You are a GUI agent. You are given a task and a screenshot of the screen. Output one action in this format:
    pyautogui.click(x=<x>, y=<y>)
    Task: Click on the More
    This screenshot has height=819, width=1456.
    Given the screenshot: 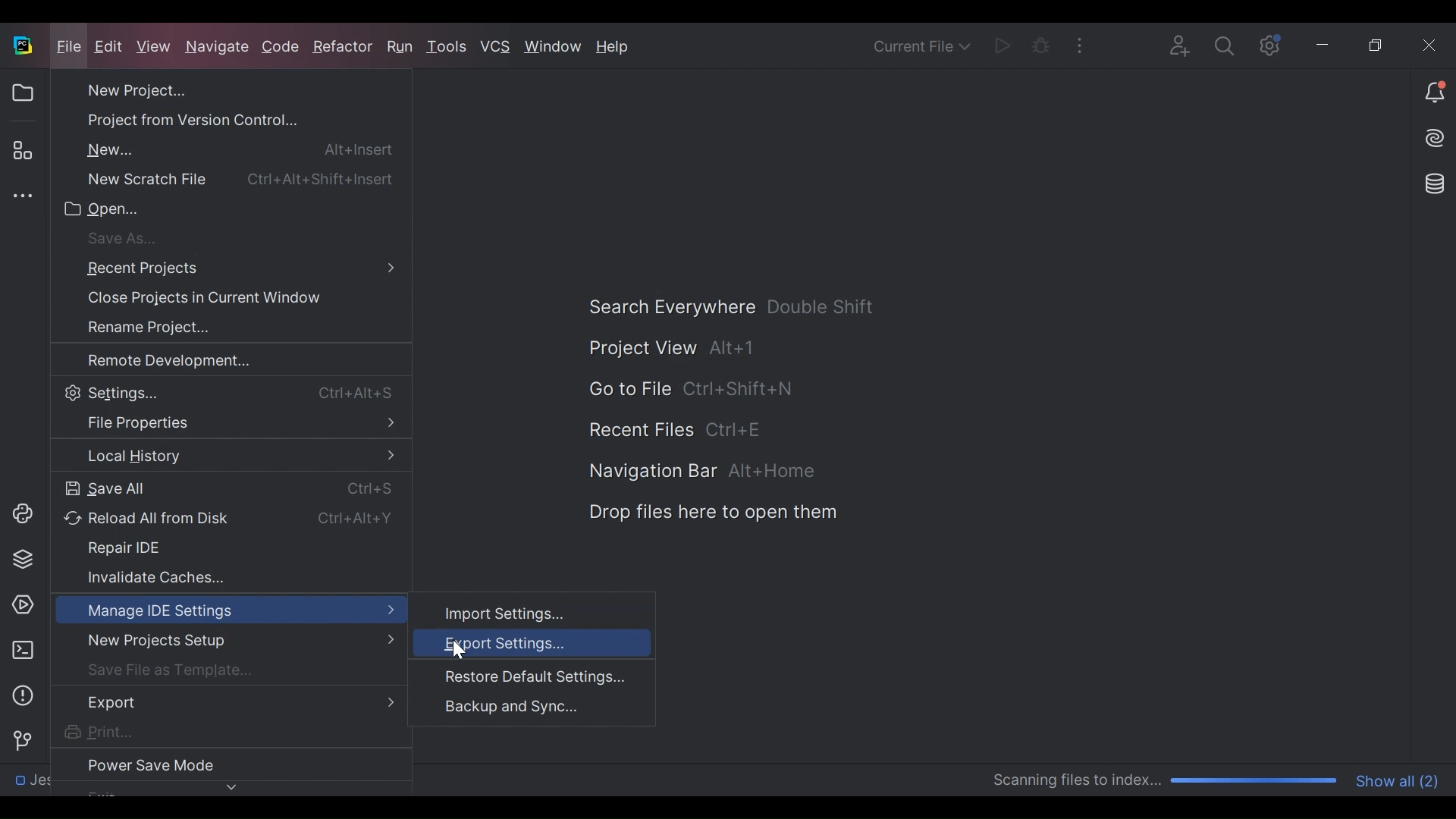 What is the action you would take?
    pyautogui.click(x=1078, y=43)
    